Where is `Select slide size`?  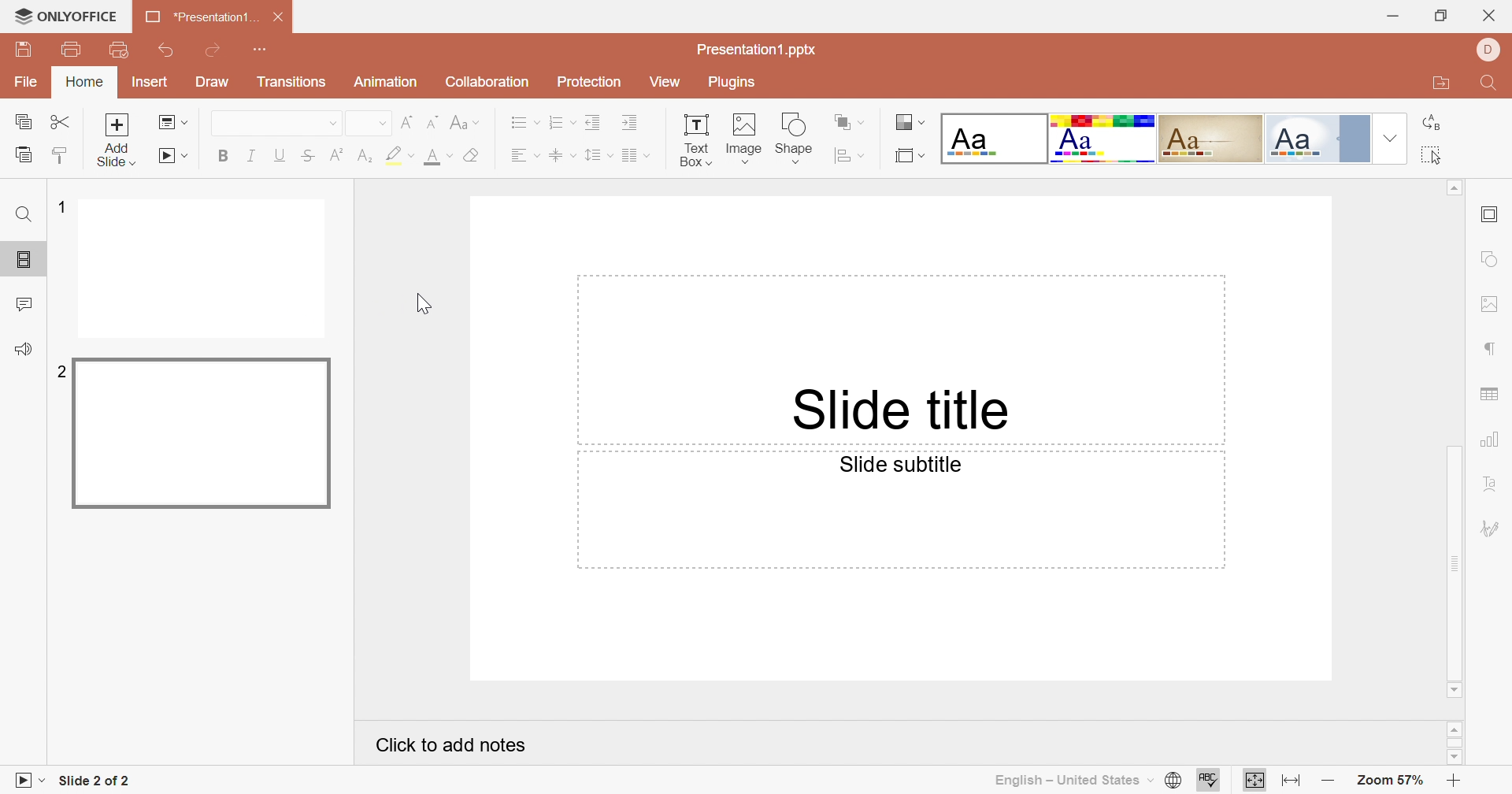
Select slide size is located at coordinates (903, 155).